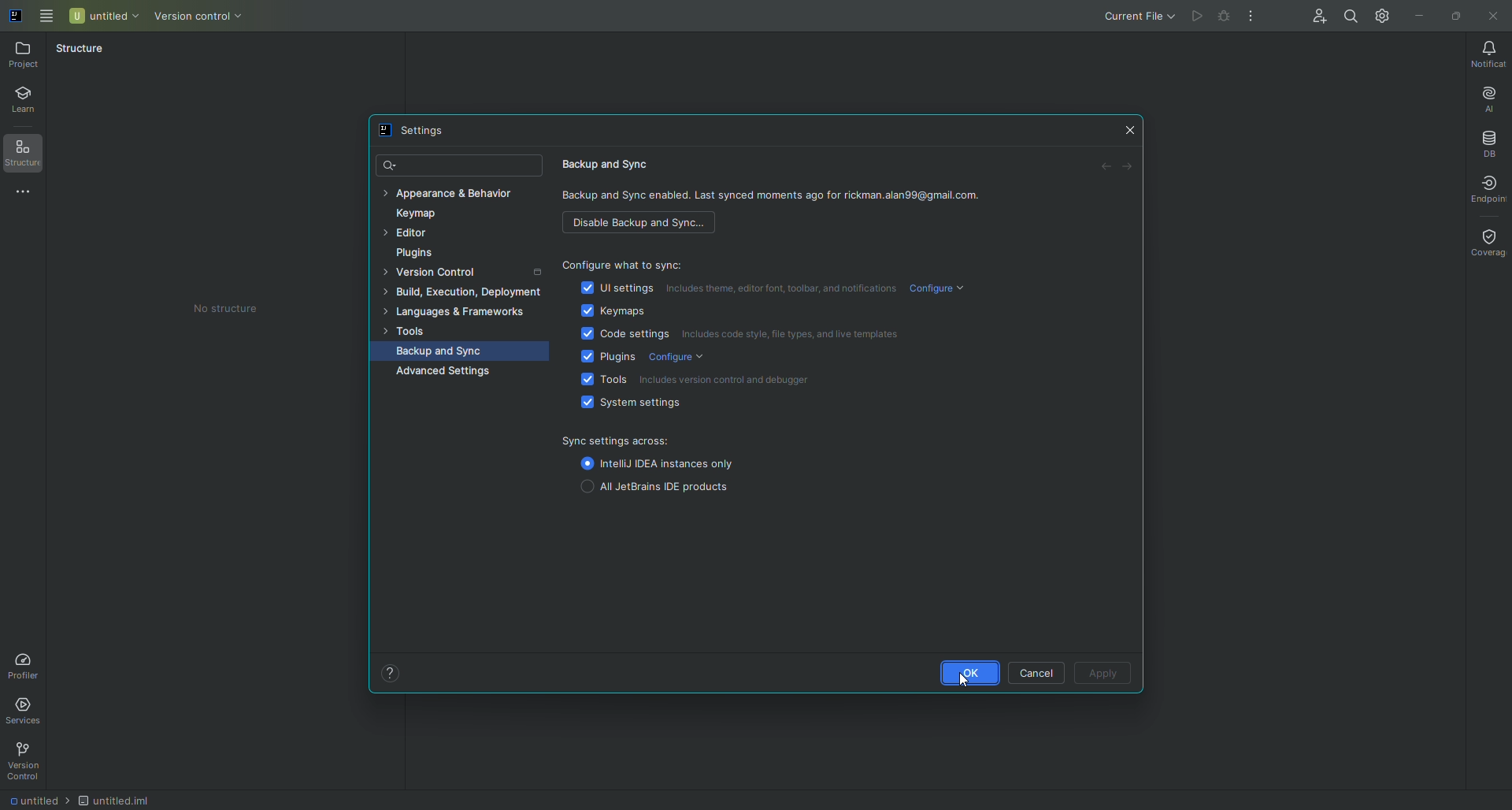  Describe the element at coordinates (444, 372) in the screenshot. I see `Advanced Settings` at that location.